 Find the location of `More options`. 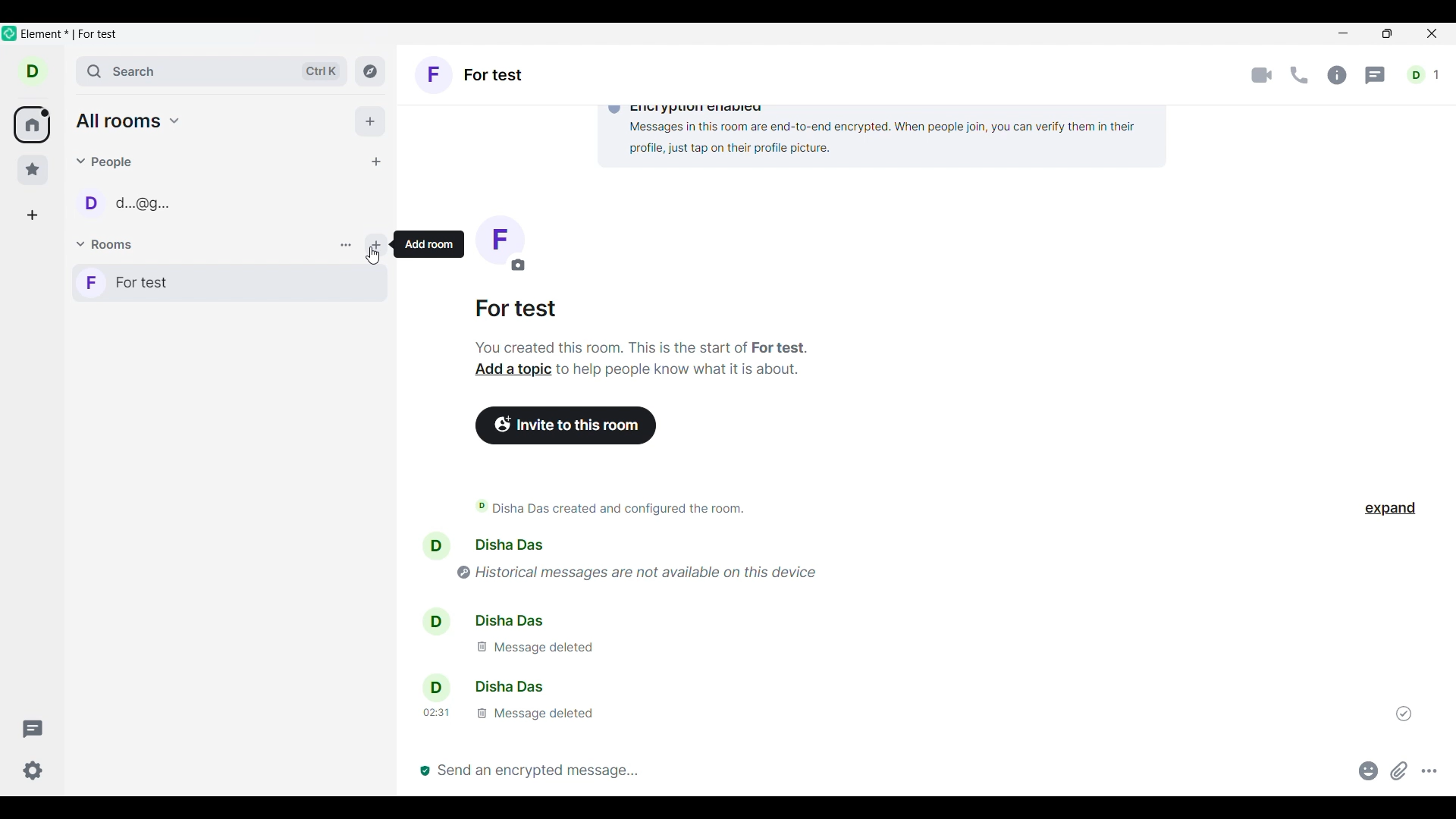

More options is located at coordinates (1429, 770).